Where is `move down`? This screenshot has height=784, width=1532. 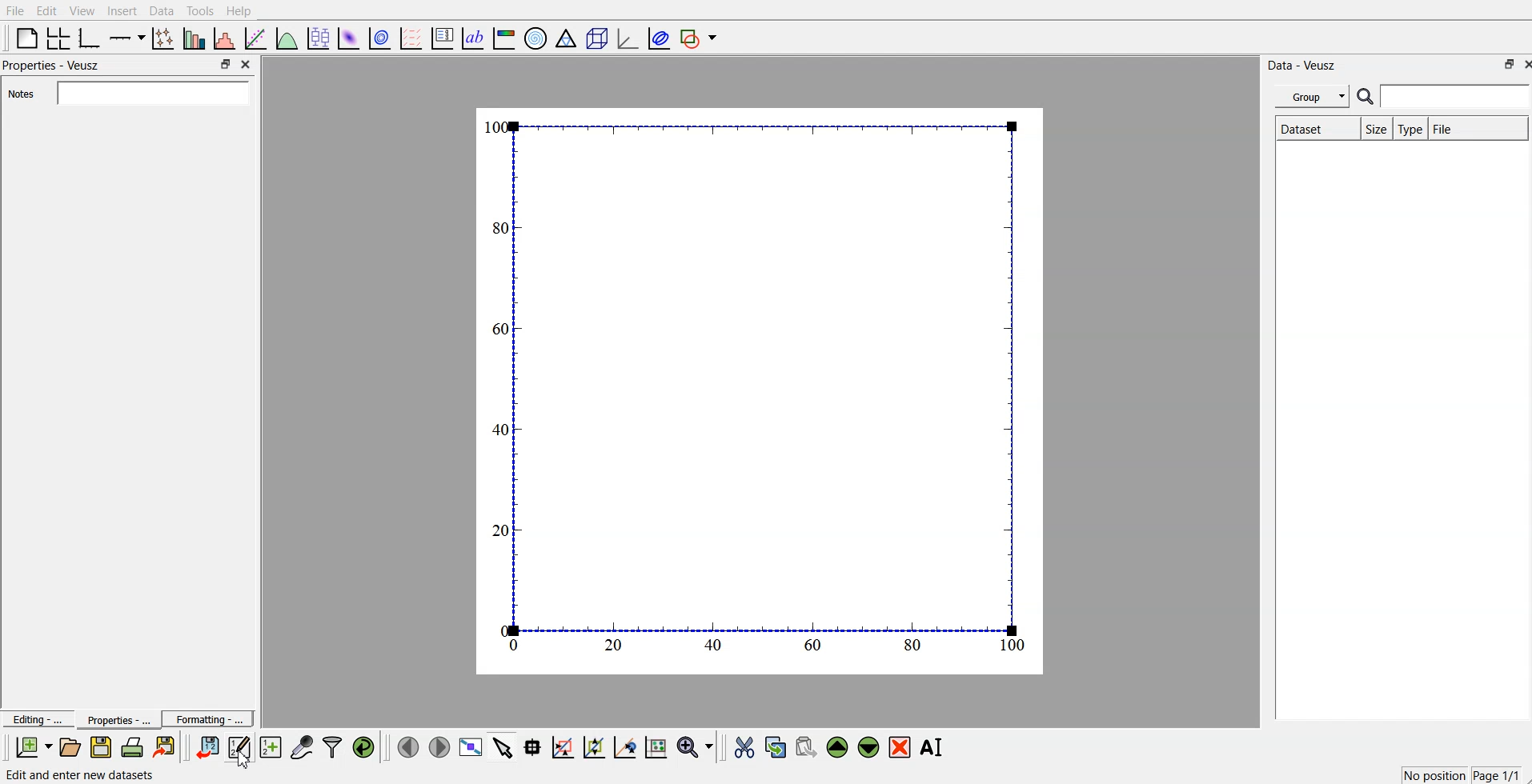
move down is located at coordinates (869, 746).